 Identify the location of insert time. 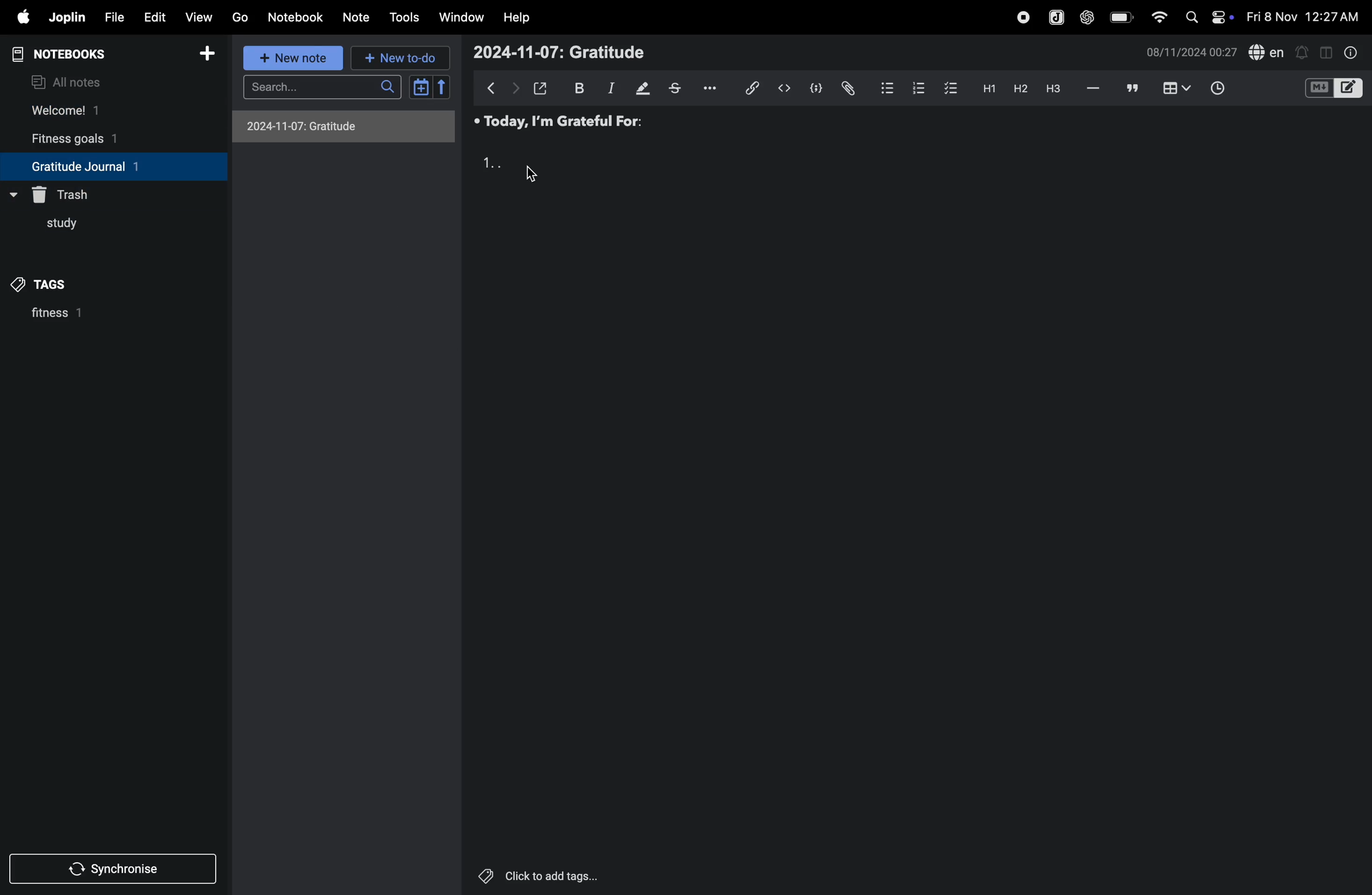
(1215, 89).